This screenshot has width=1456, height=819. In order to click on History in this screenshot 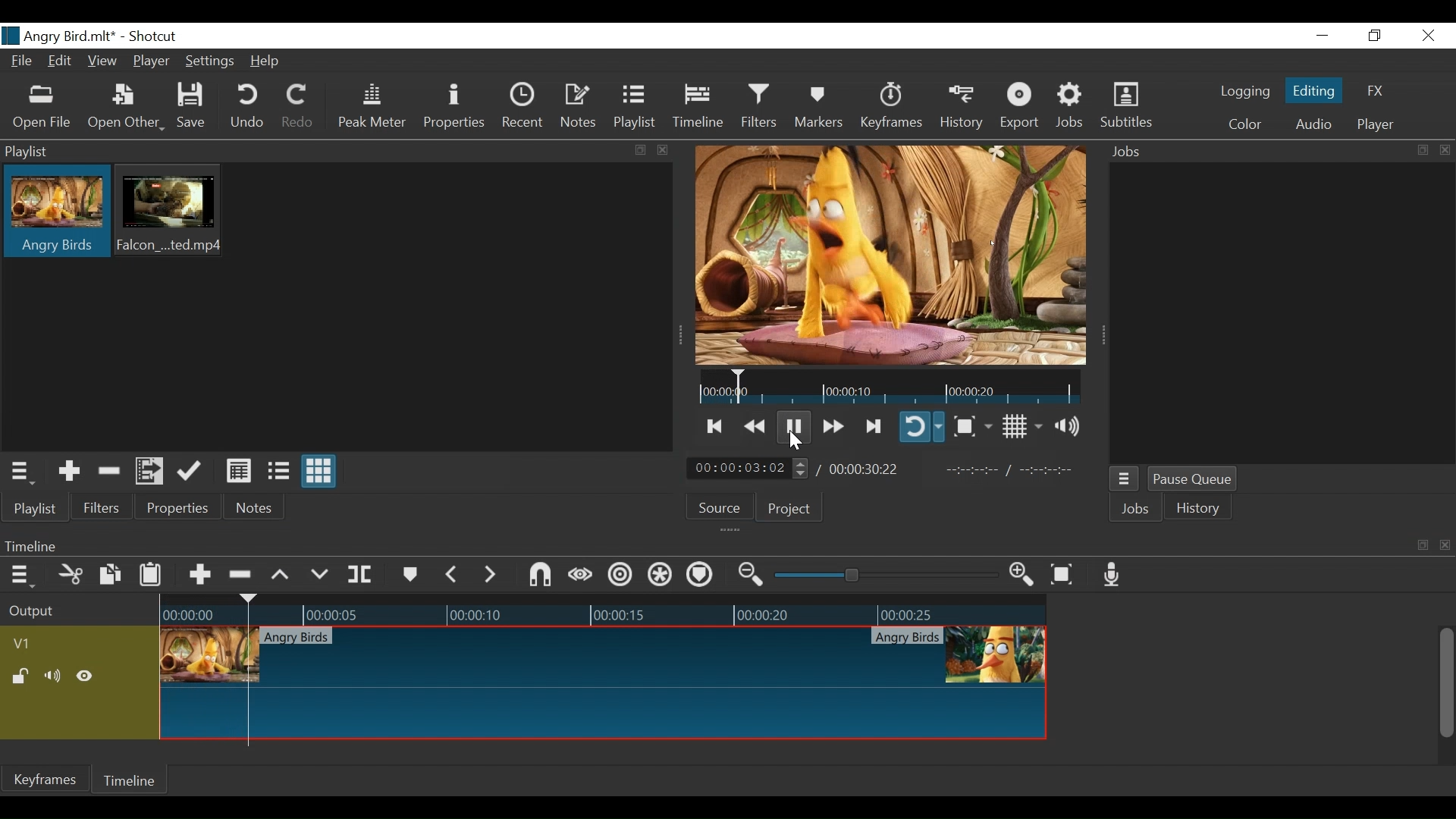, I will do `click(1202, 510)`.